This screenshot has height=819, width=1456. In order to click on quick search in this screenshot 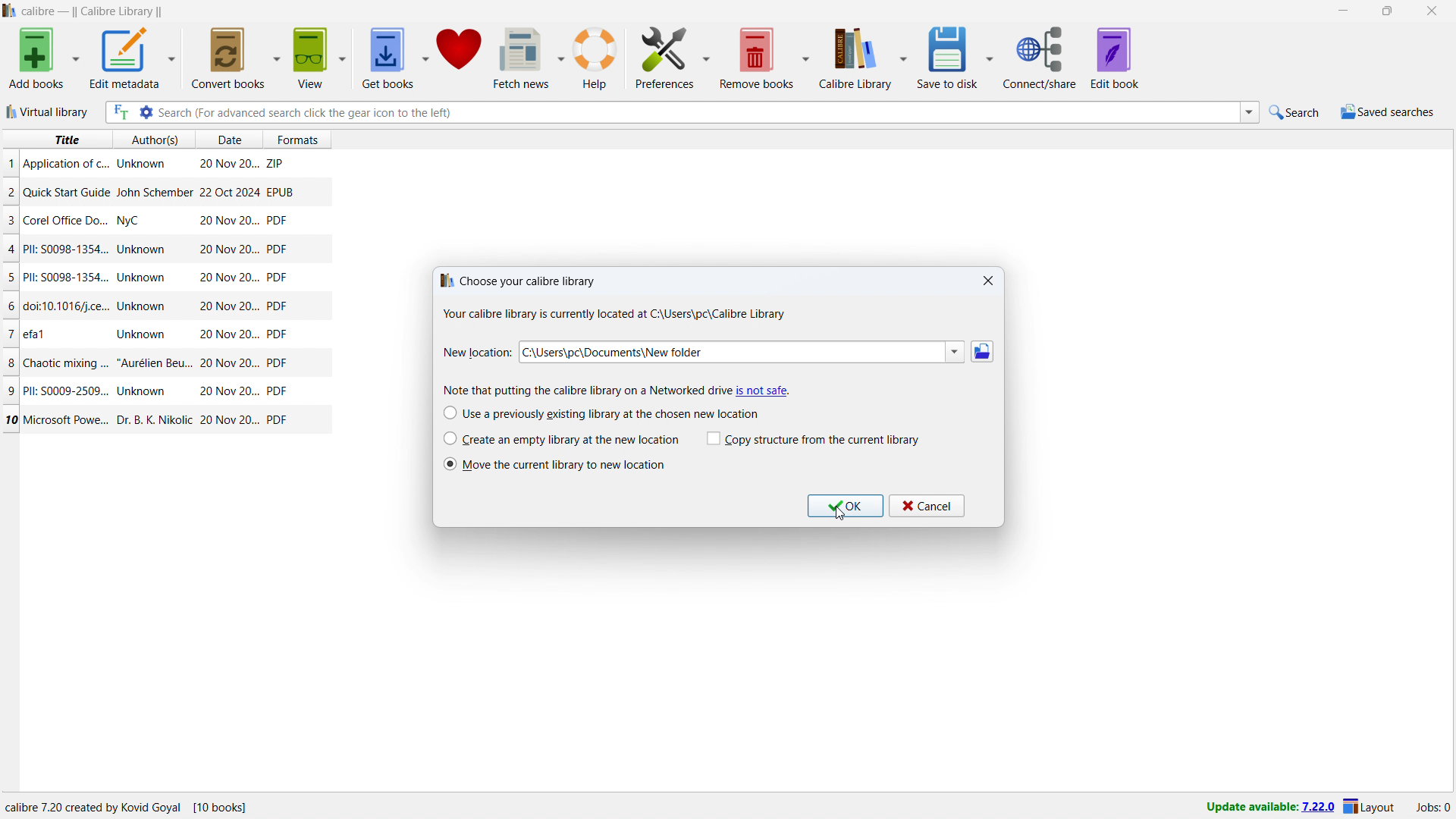, I will do `click(1296, 112)`.